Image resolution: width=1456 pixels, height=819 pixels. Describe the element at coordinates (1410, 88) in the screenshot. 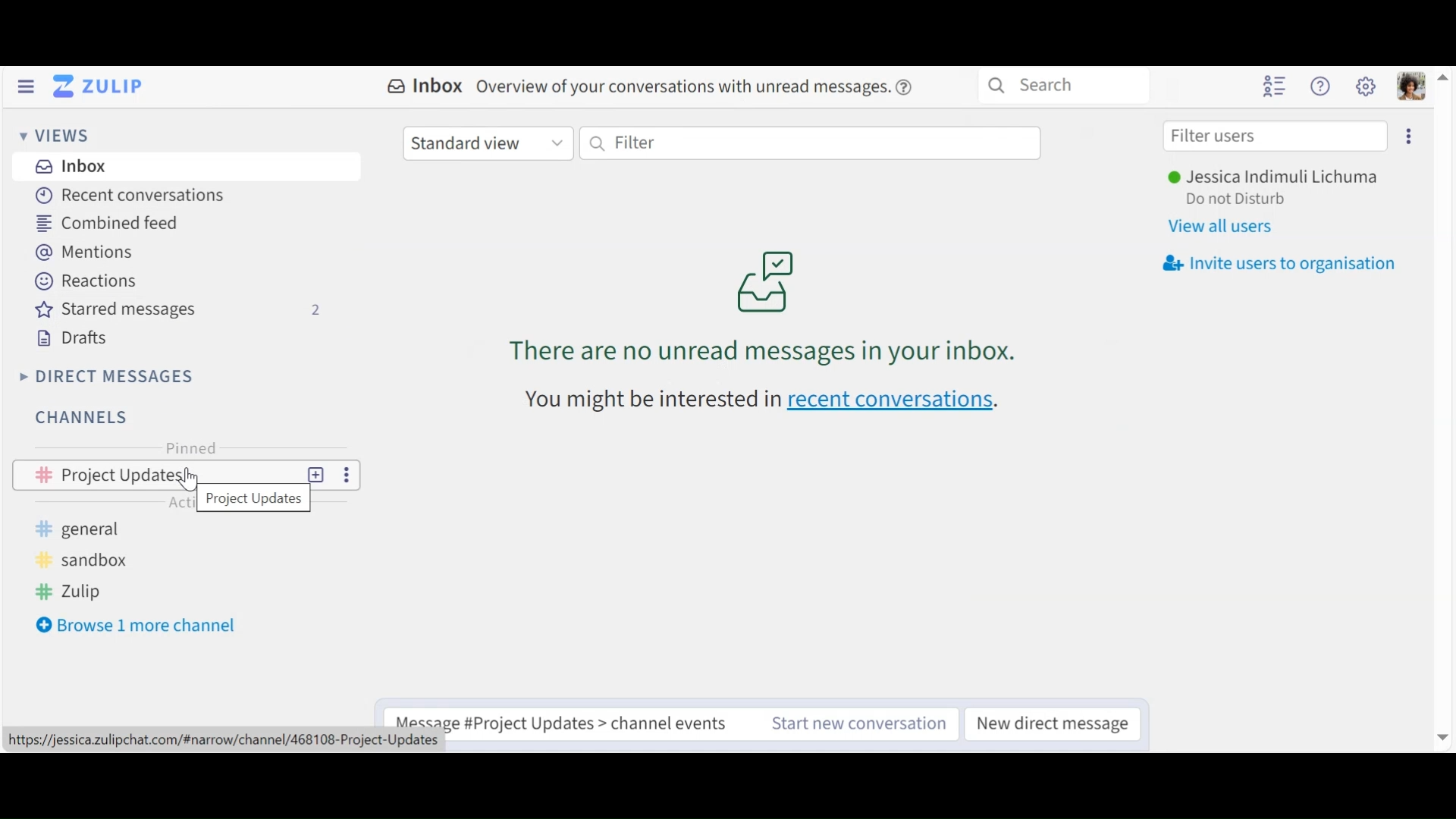

I see `Personal menu` at that location.